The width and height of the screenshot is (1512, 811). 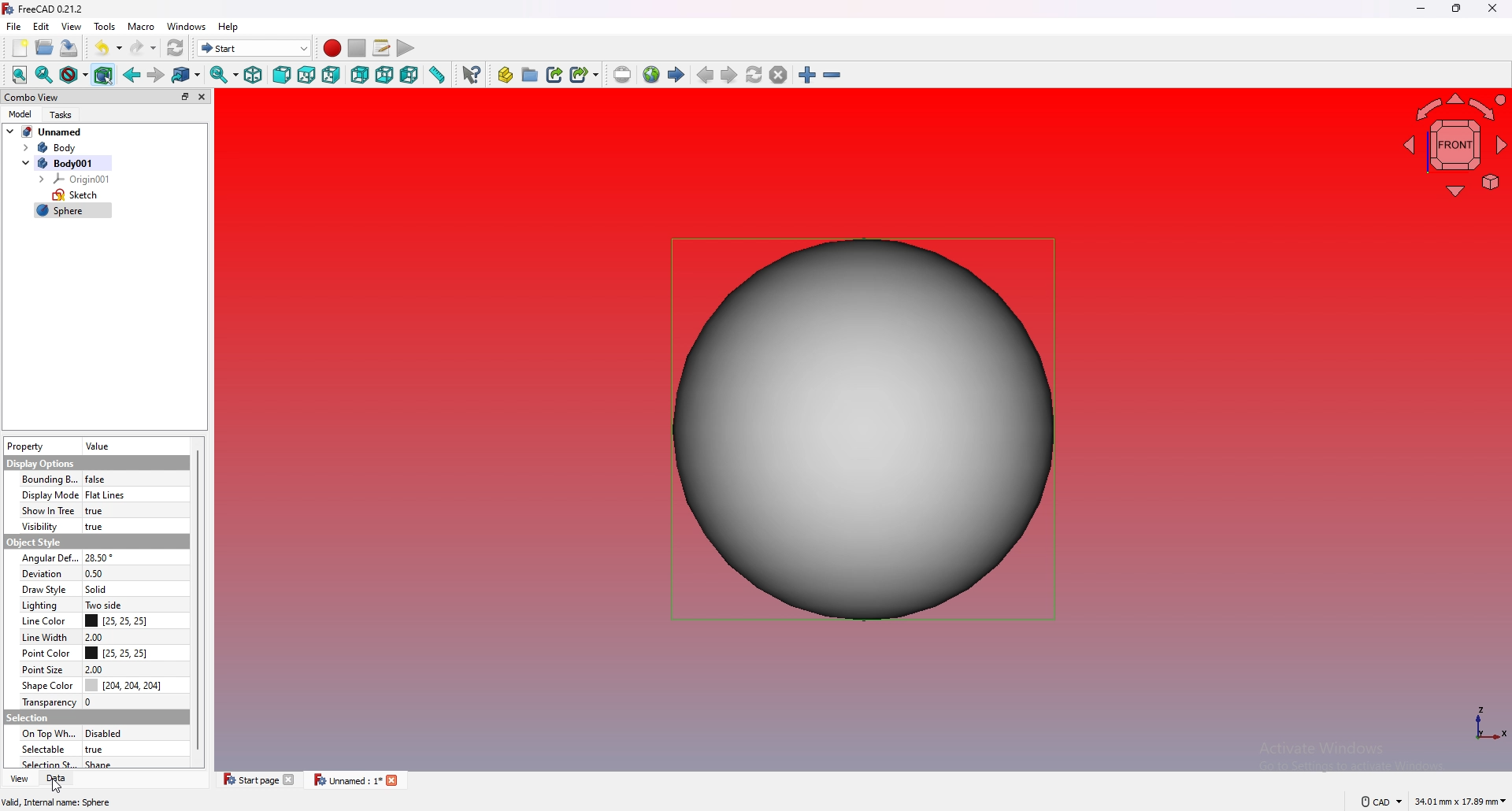 I want to click on navigating cube, so click(x=1452, y=143).